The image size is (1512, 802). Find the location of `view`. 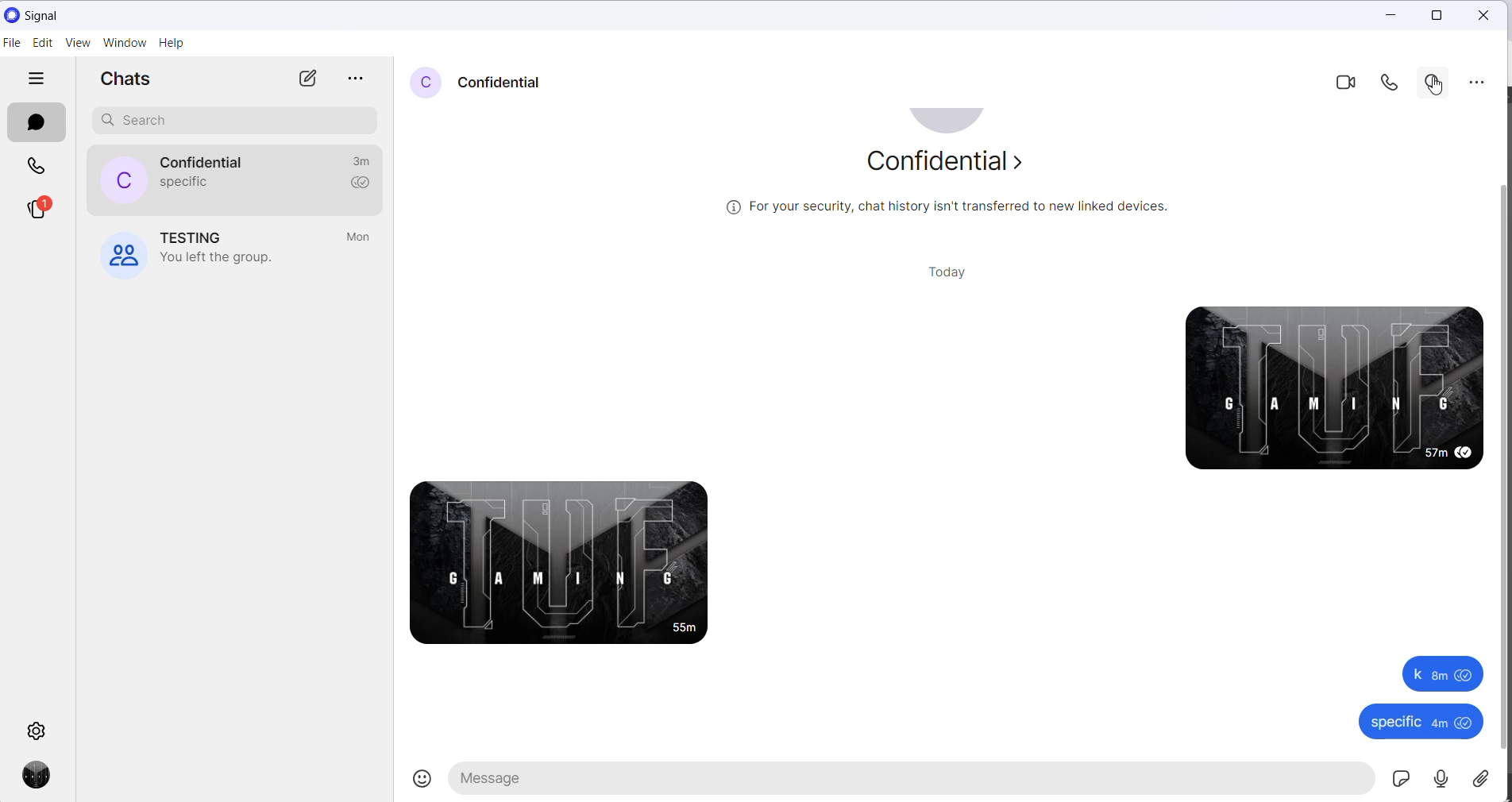

view is located at coordinates (82, 44).